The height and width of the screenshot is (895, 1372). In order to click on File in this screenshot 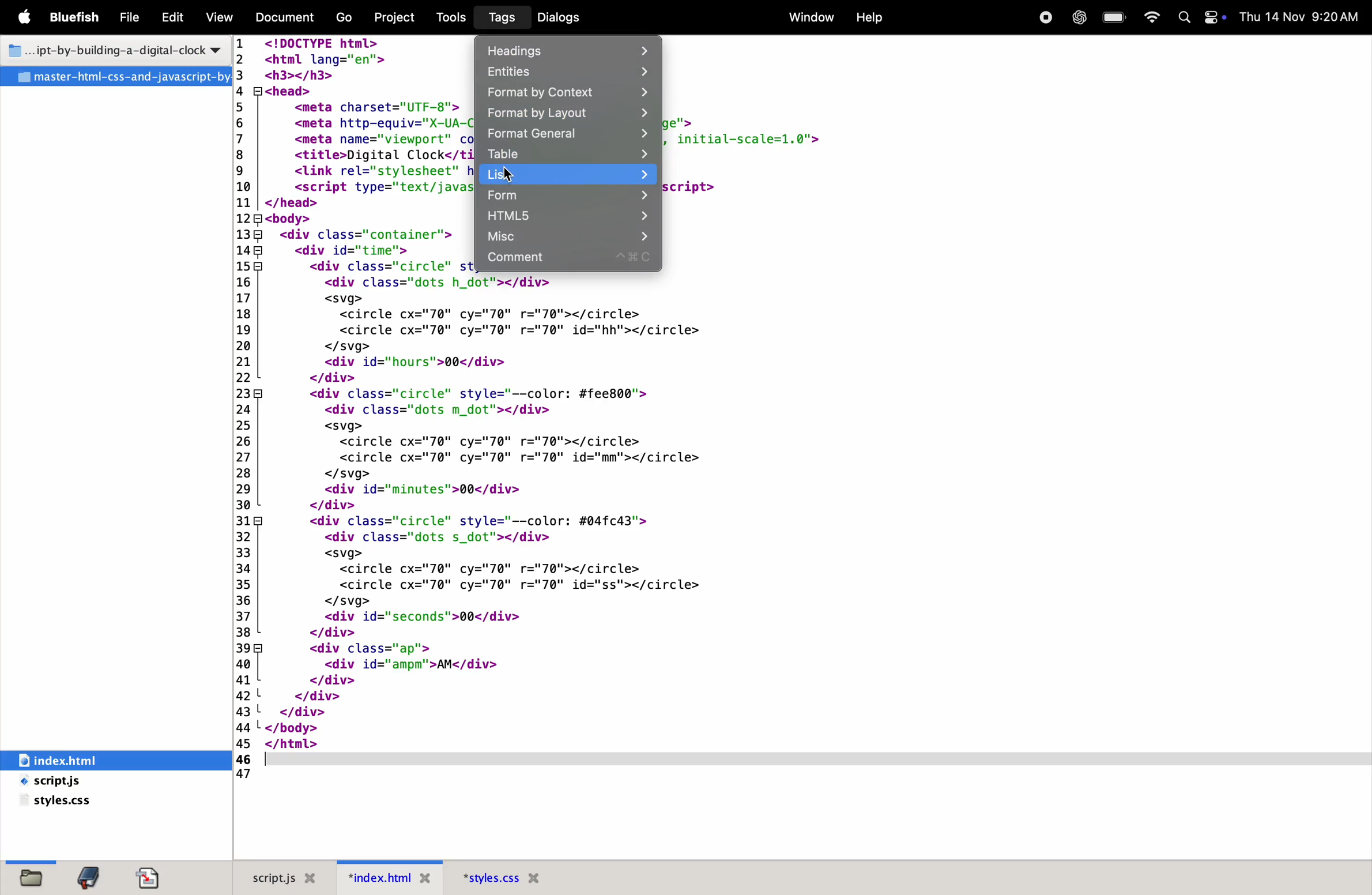, I will do `click(131, 18)`.